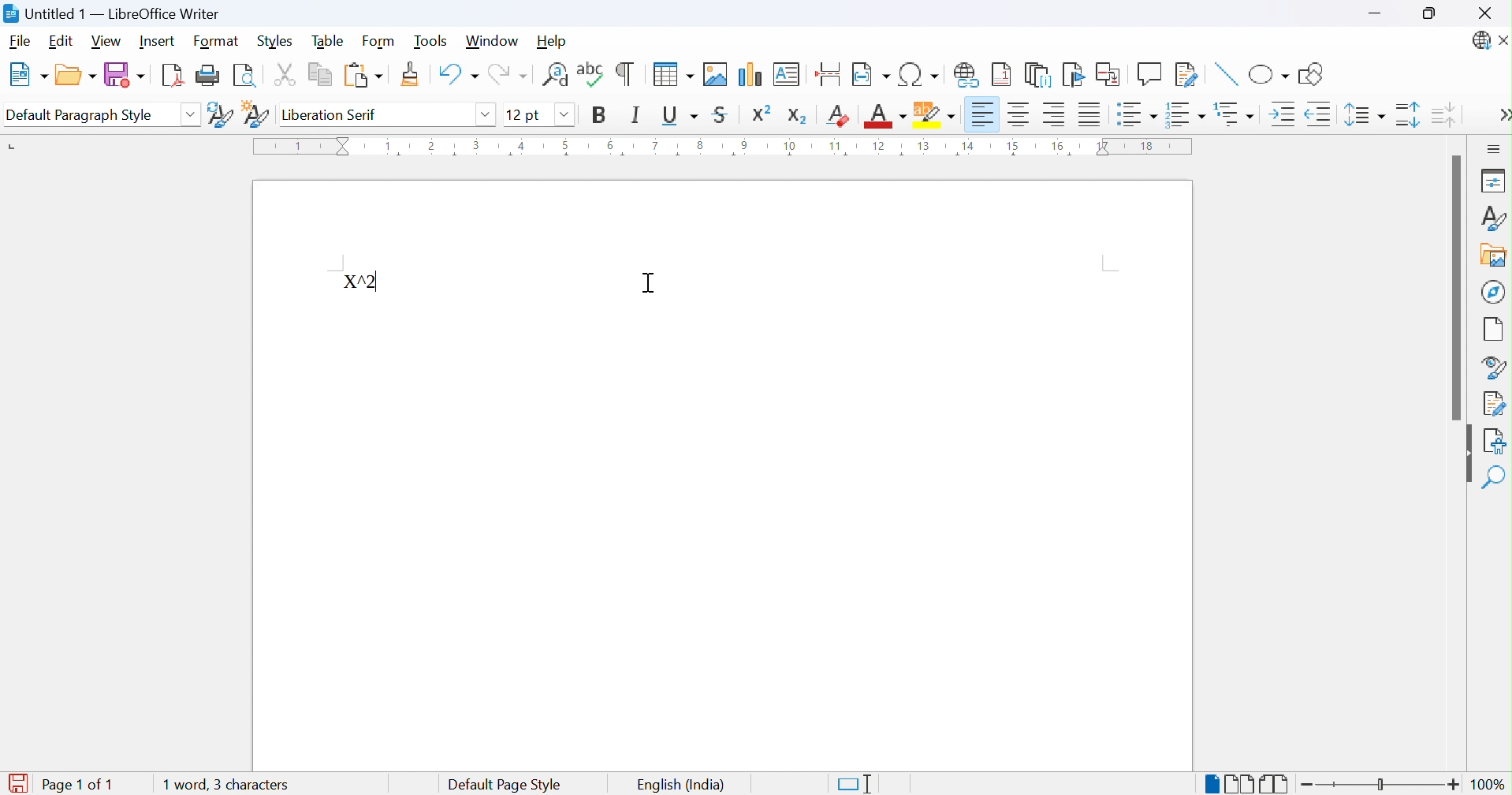 This screenshot has width=1512, height=795. What do you see at coordinates (1322, 115) in the screenshot?
I see `Decrease indent` at bounding box center [1322, 115].